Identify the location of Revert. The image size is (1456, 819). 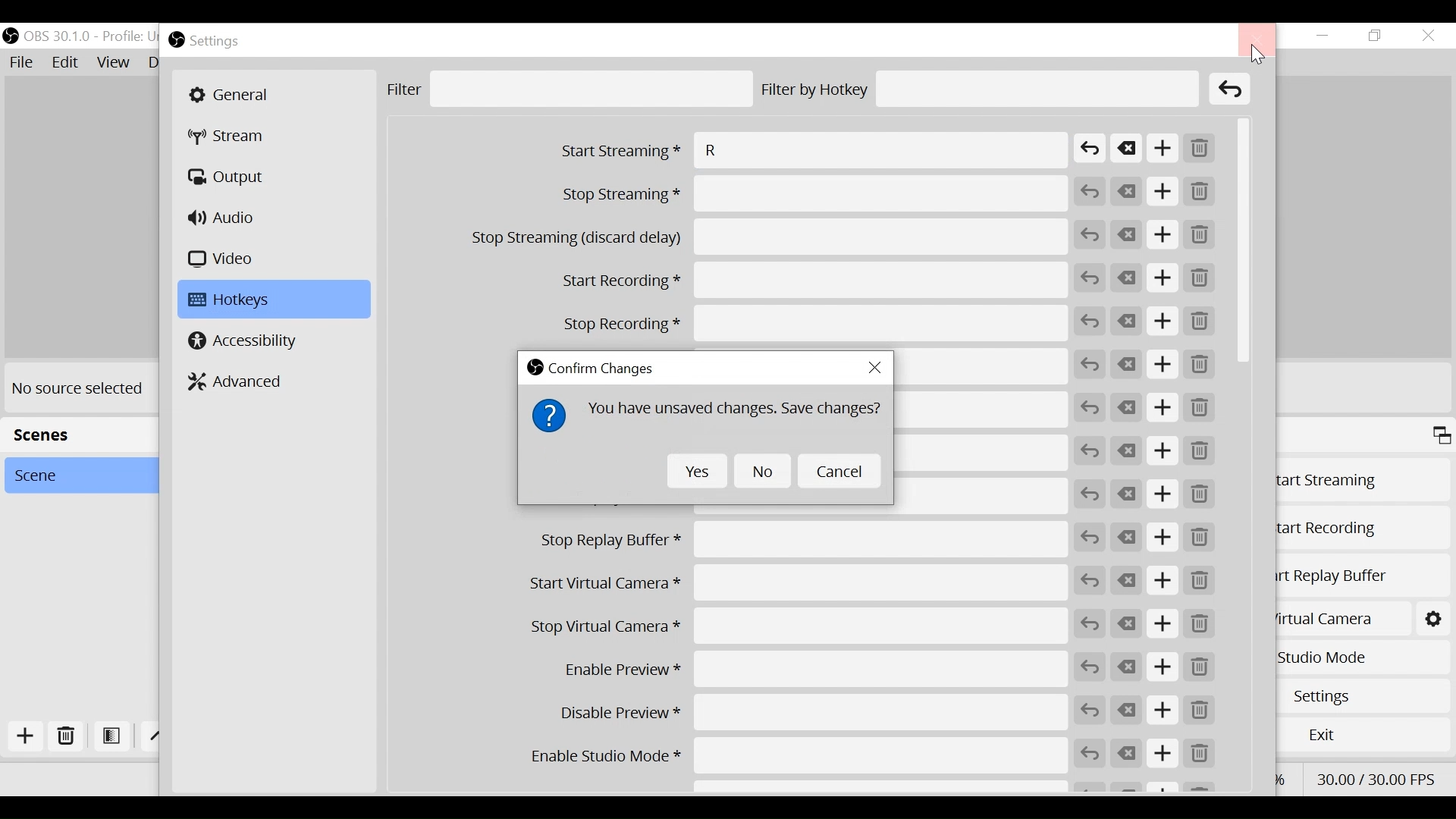
(1090, 320).